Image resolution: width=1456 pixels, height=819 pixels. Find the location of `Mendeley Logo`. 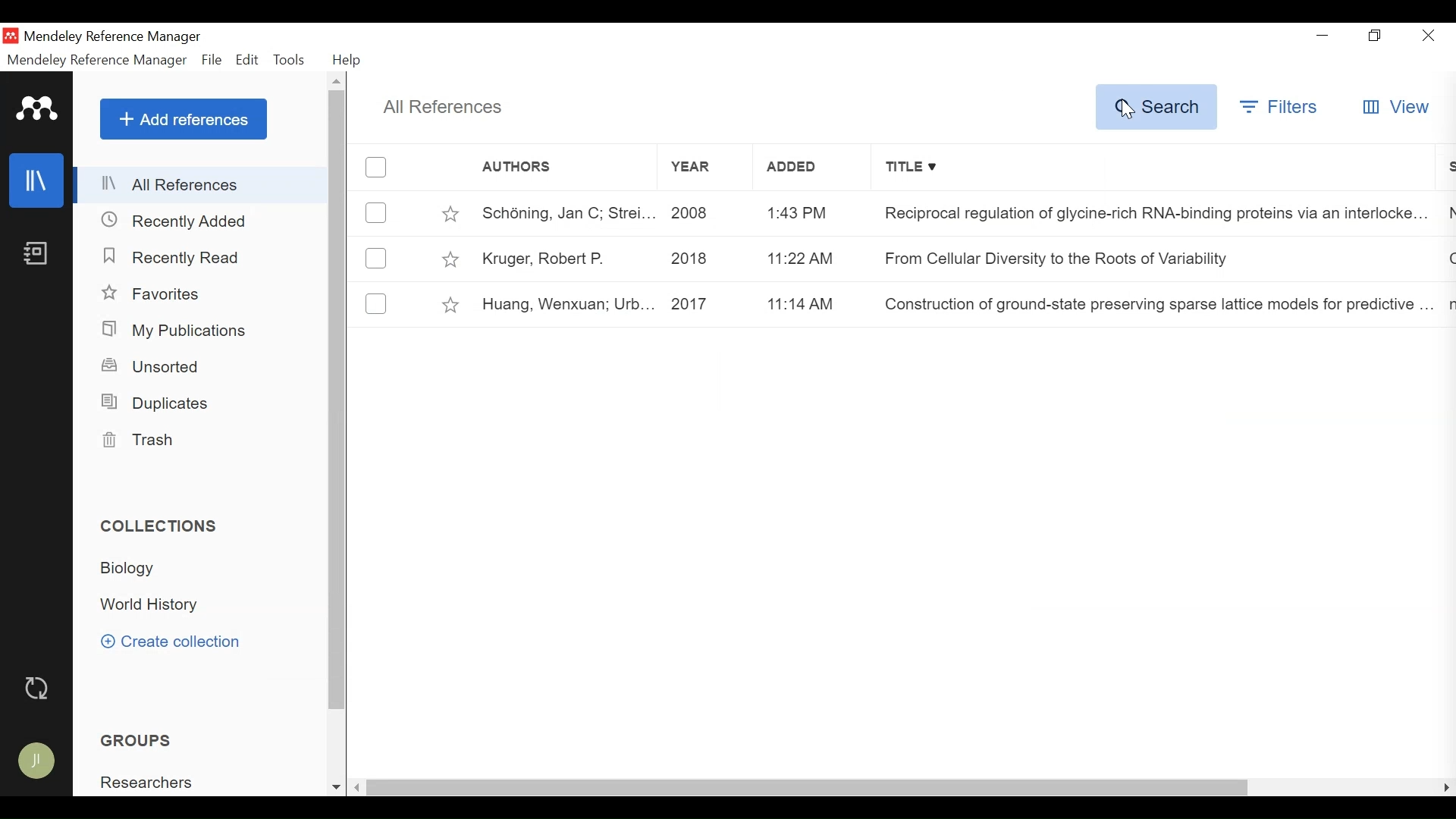

Mendeley Logo is located at coordinates (39, 110).